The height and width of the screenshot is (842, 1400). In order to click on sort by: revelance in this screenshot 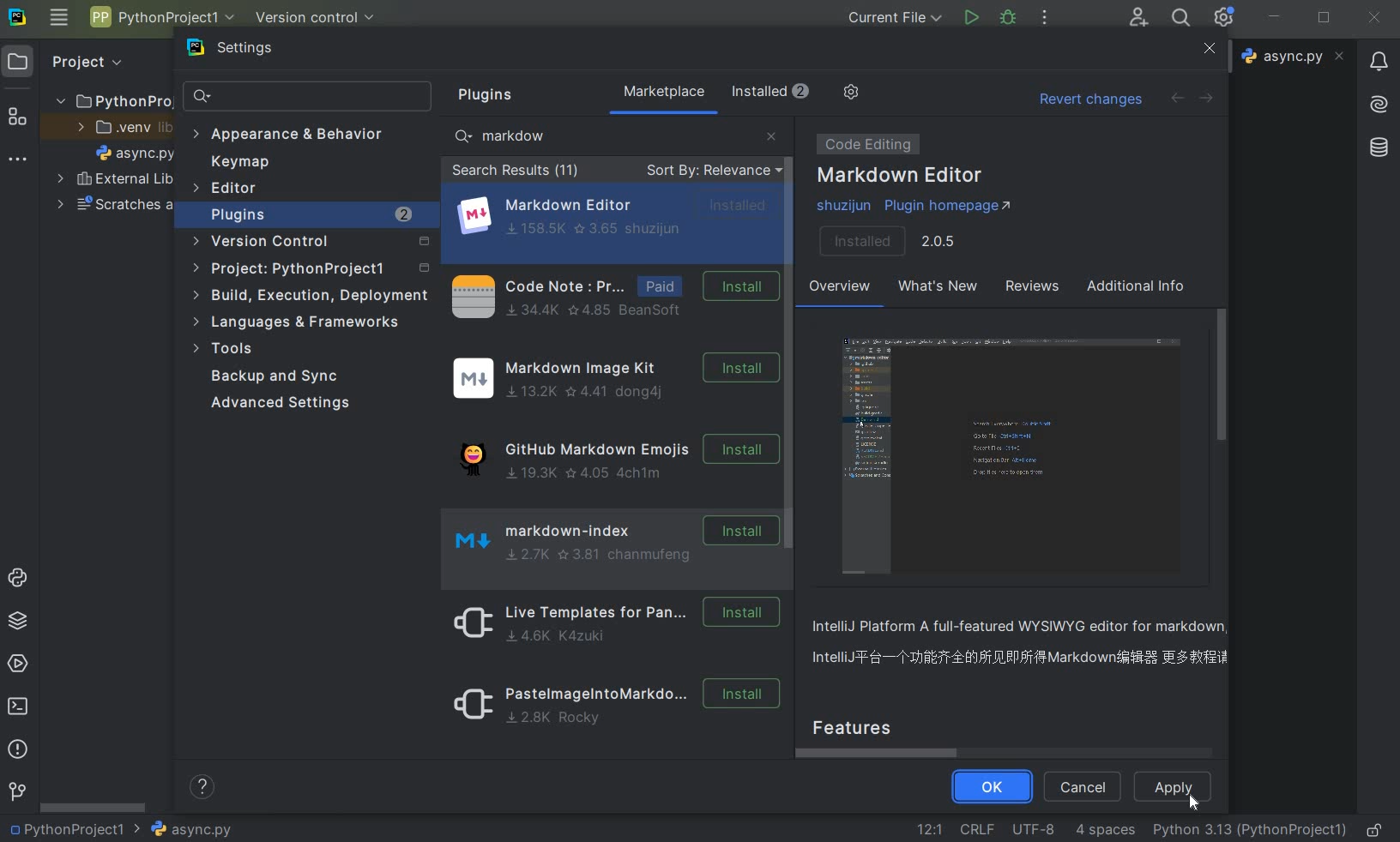, I will do `click(711, 171)`.